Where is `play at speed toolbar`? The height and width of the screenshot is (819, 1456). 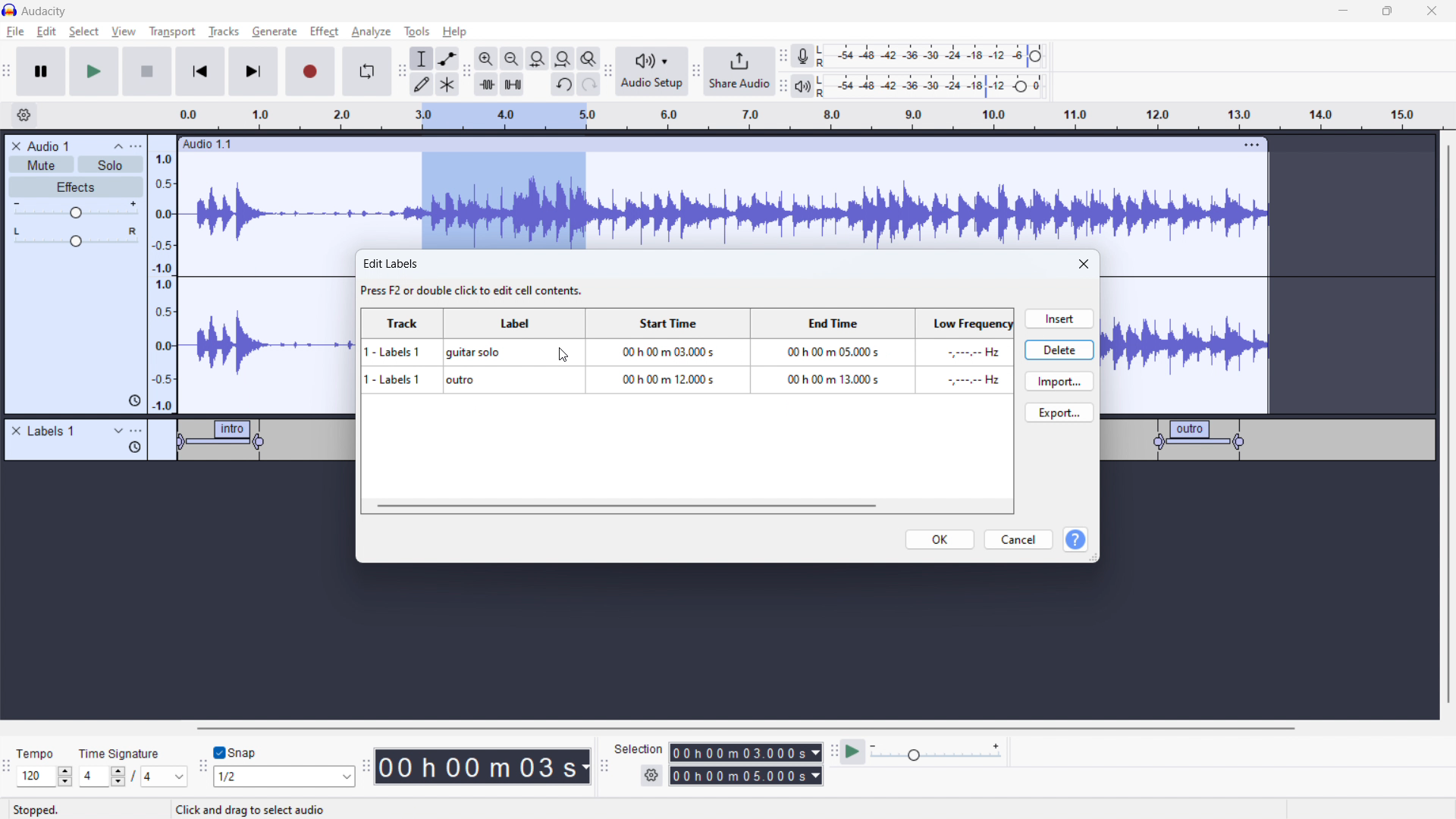 play at speed toolbar is located at coordinates (833, 753).